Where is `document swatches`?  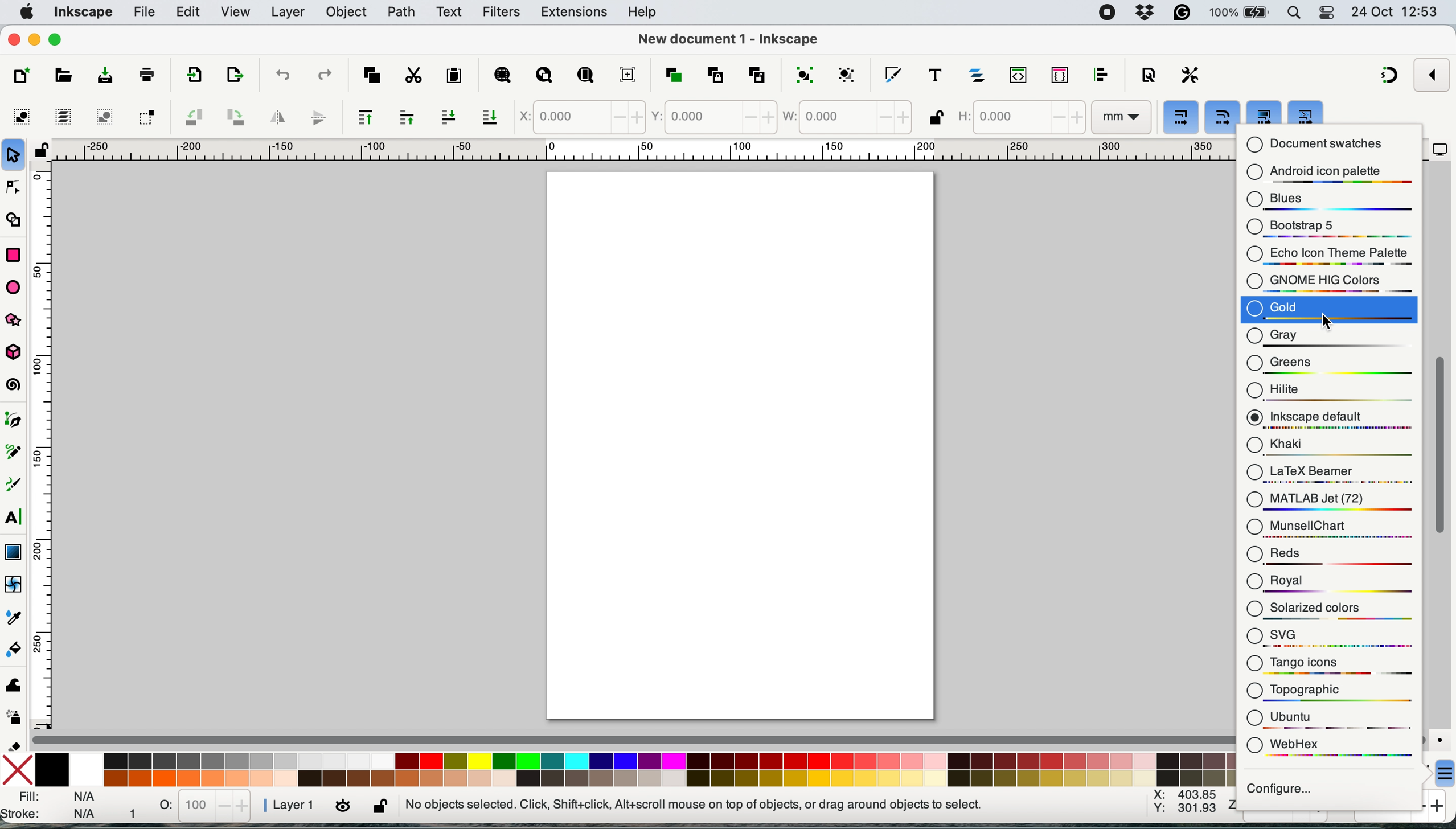
document swatches is located at coordinates (1320, 142).